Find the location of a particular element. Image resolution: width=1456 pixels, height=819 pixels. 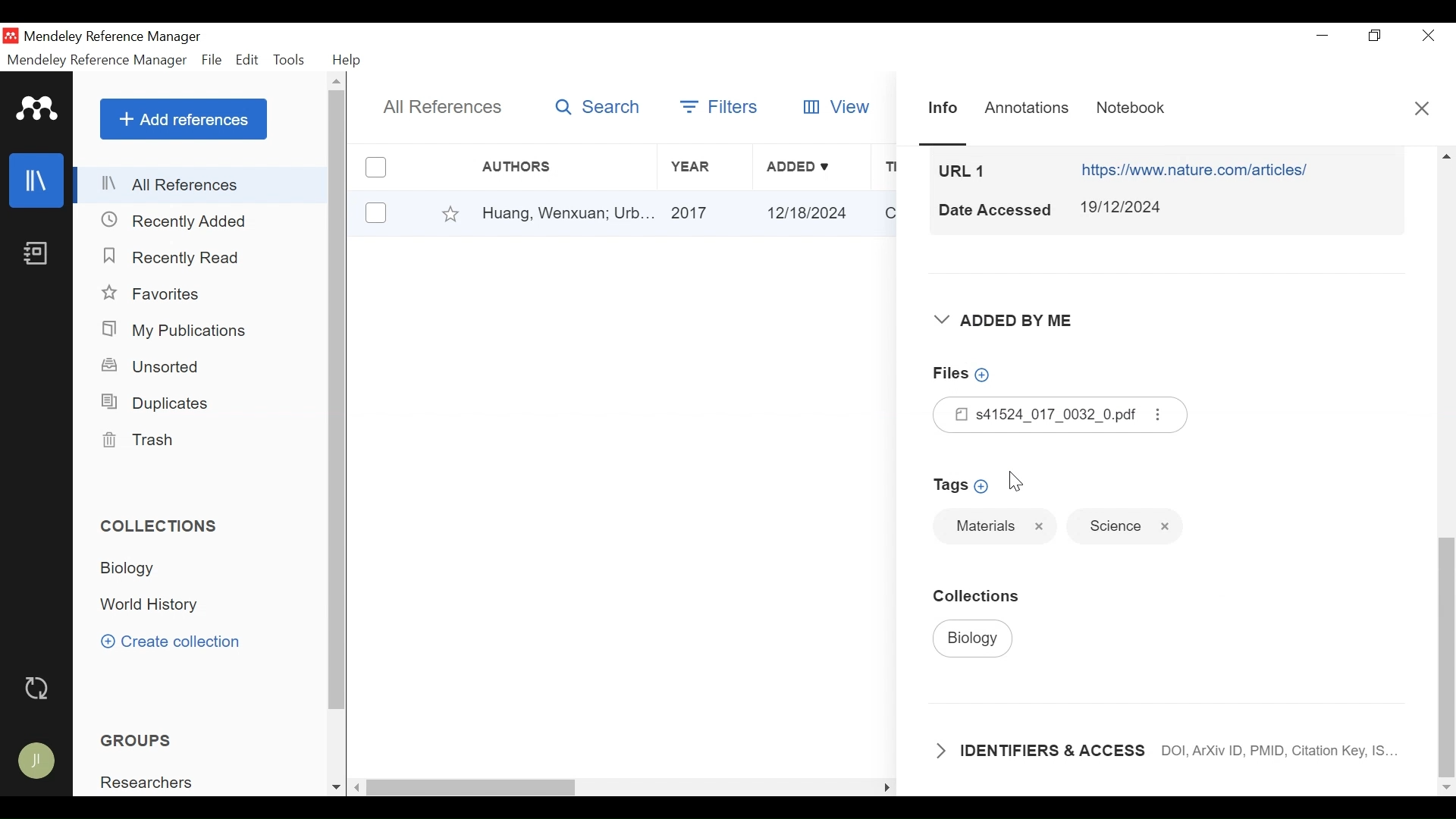

Collections is located at coordinates (982, 595).